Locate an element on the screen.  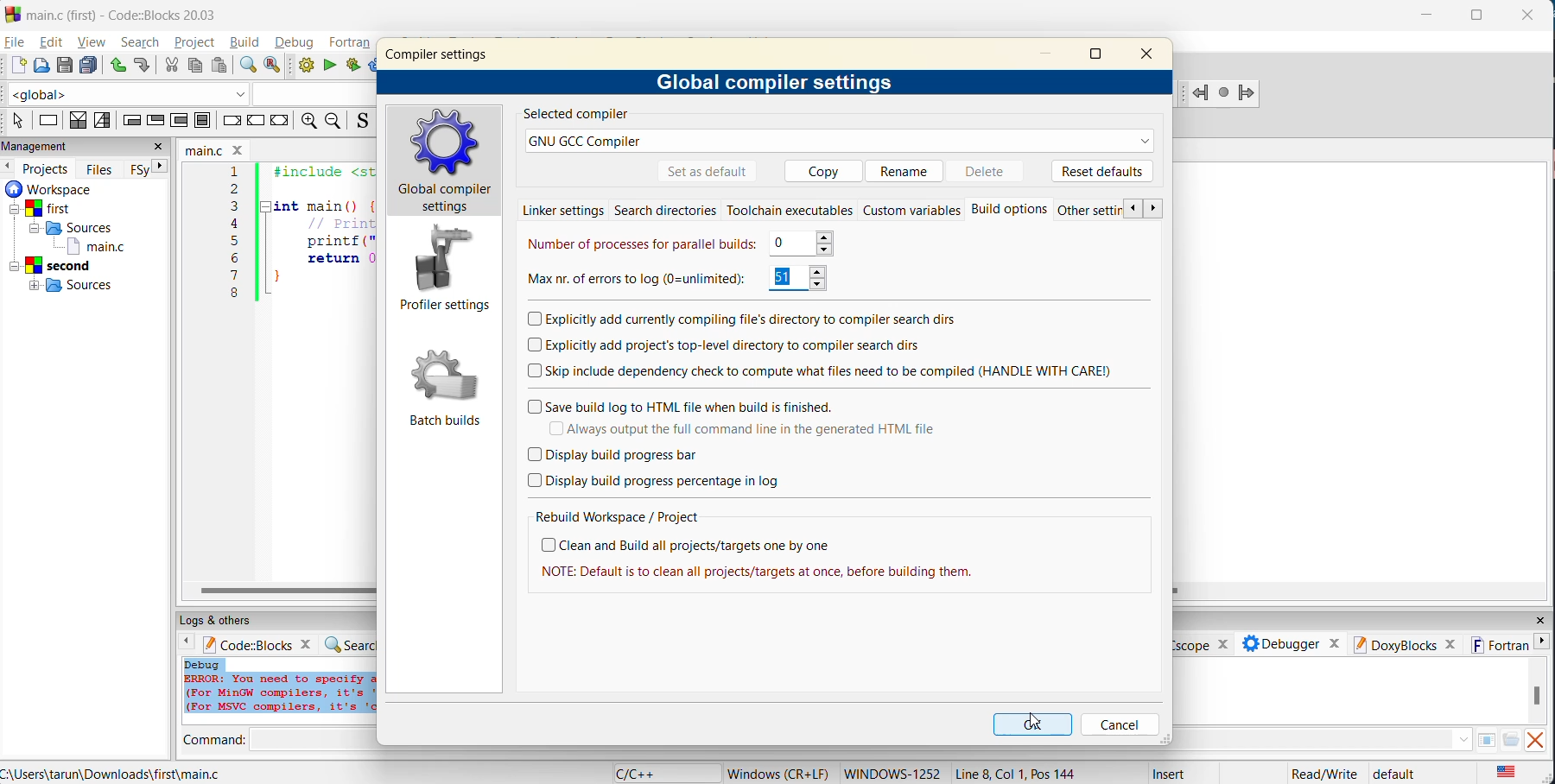
close is located at coordinates (1154, 54).